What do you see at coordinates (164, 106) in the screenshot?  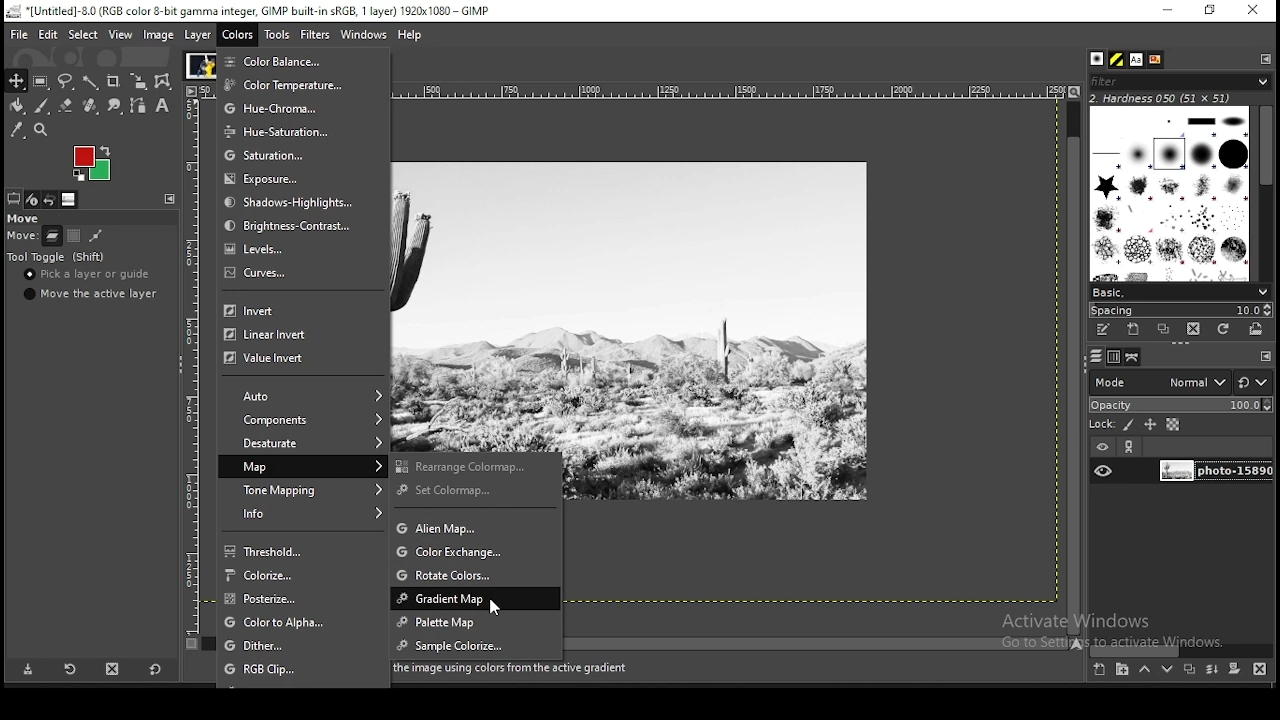 I see `text tool` at bounding box center [164, 106].